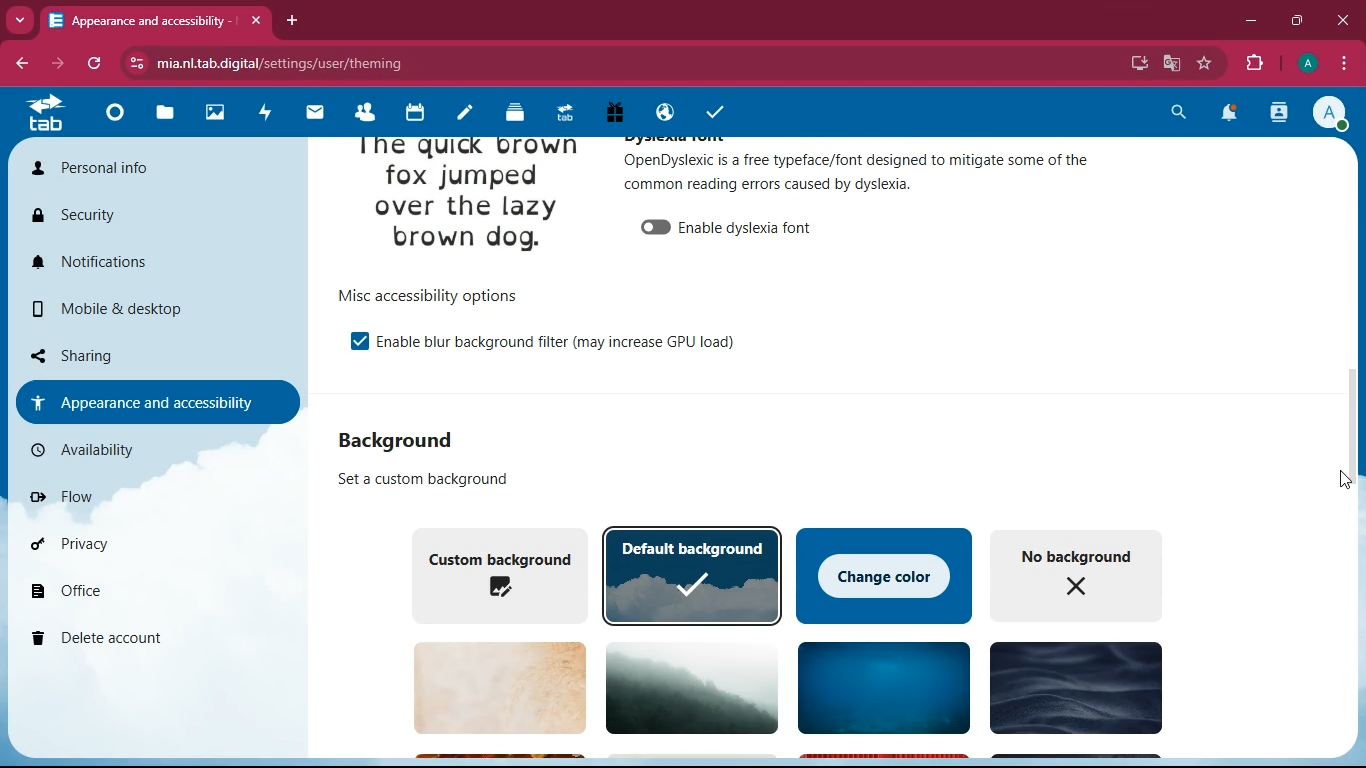 Image resolution: width=1366 pixels, height=768 pixels. What do you see at coordinates (100, 64) in the screenshot?
I see `refresh` at bounding box center [100, 64].